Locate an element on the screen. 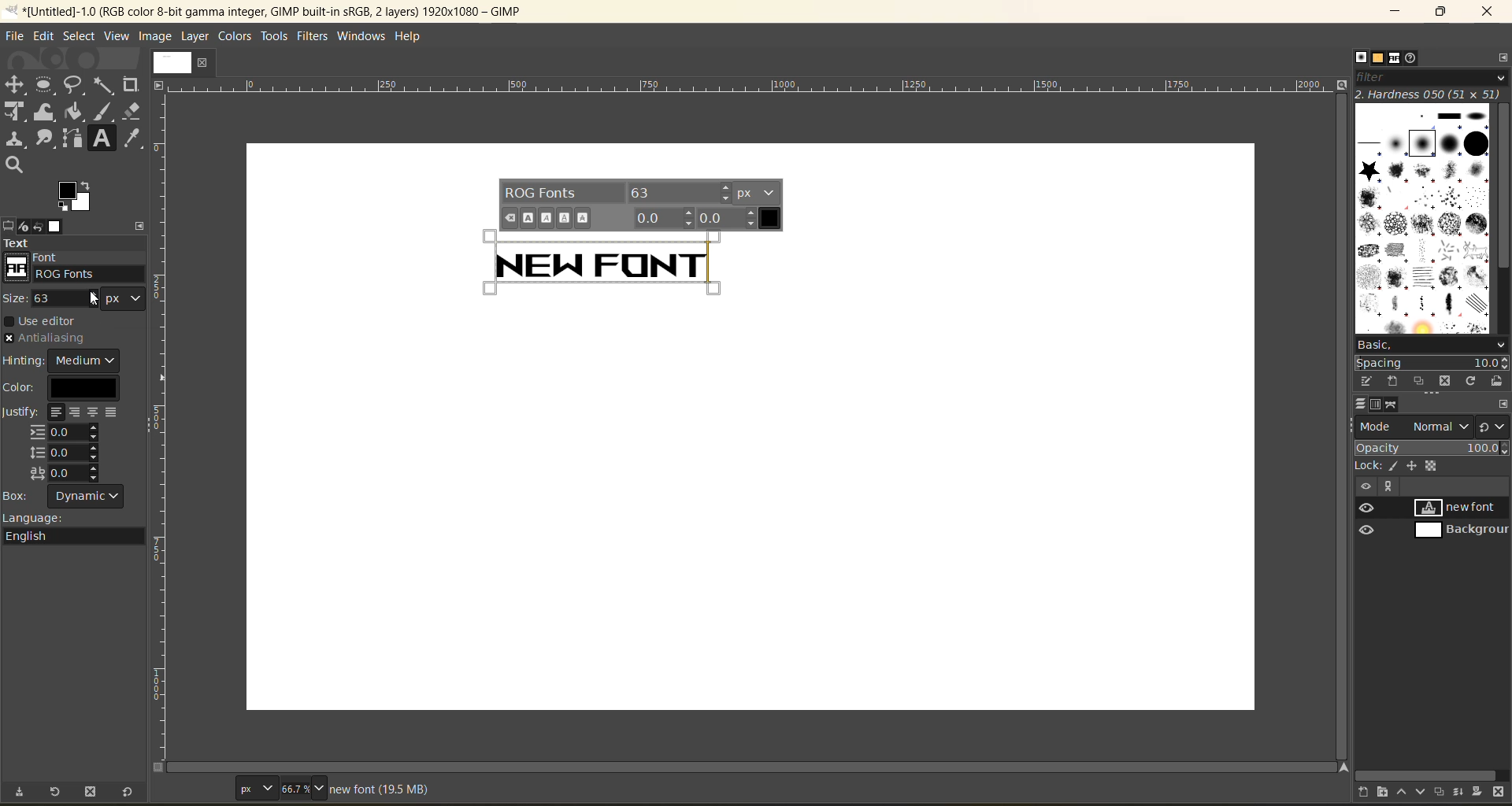  opacity is located at coordinates (1432, 447).